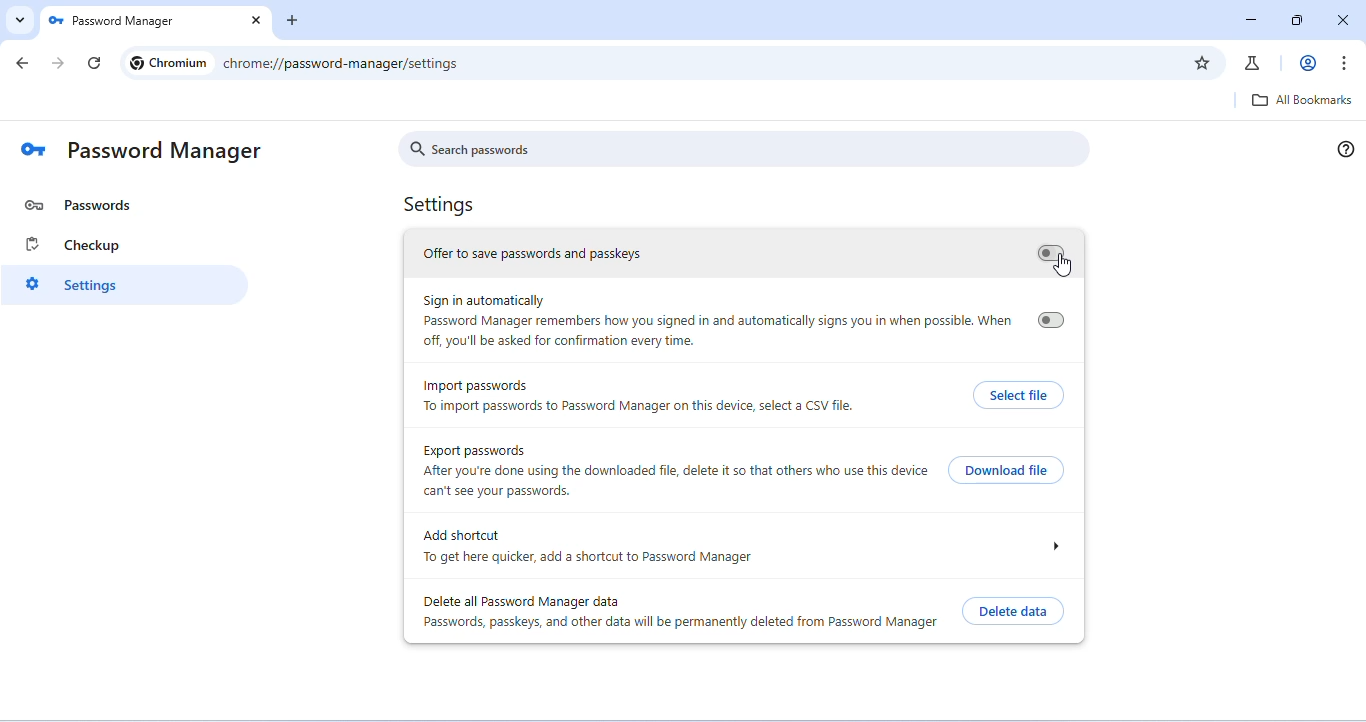  What do you see at coordinates (23, 63) in the screenshot?
I see `go back` at bounding box center [23, 63].